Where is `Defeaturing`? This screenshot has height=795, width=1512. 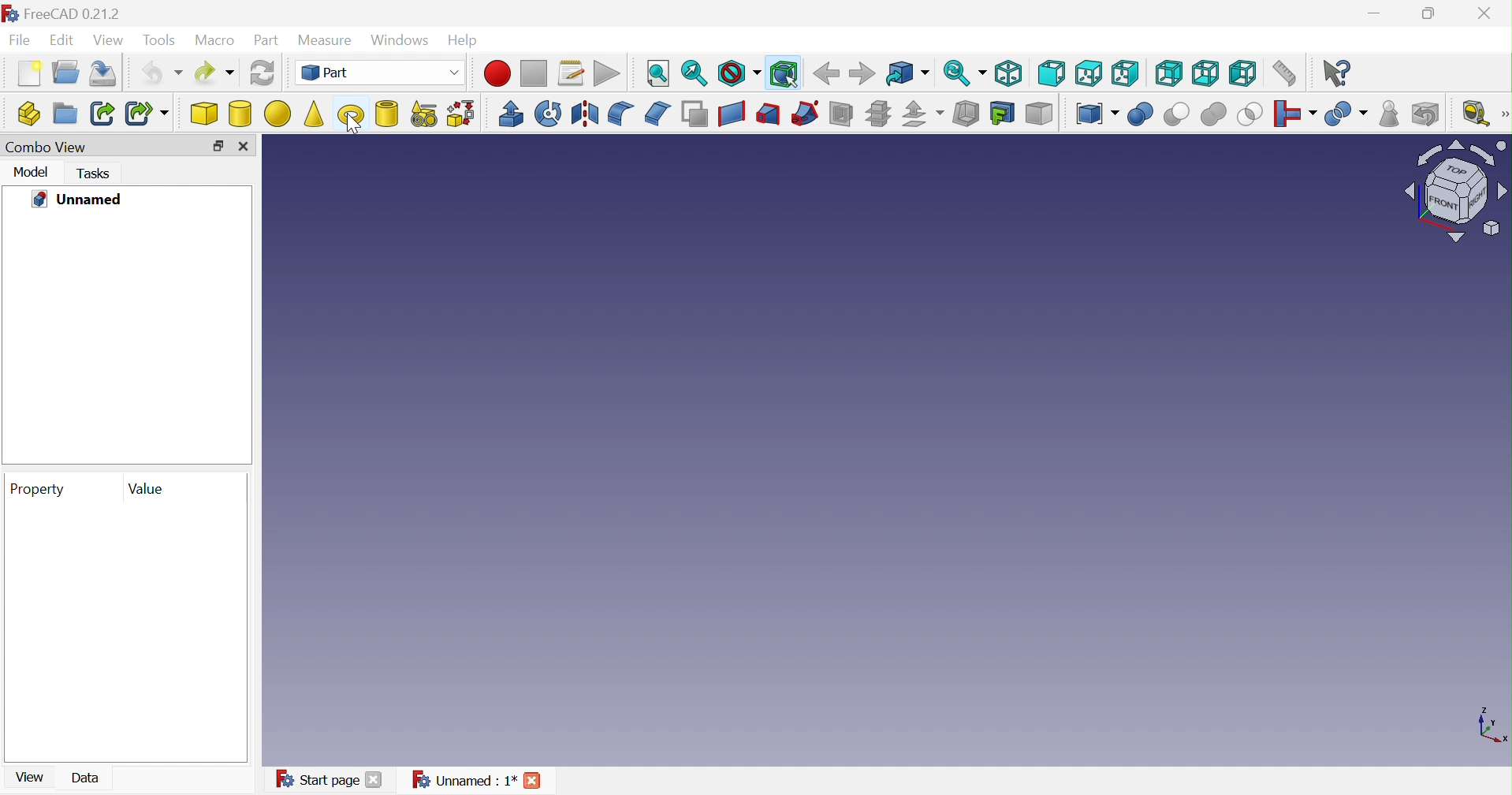 Defeaturing is located at coordinates (1427, 114).